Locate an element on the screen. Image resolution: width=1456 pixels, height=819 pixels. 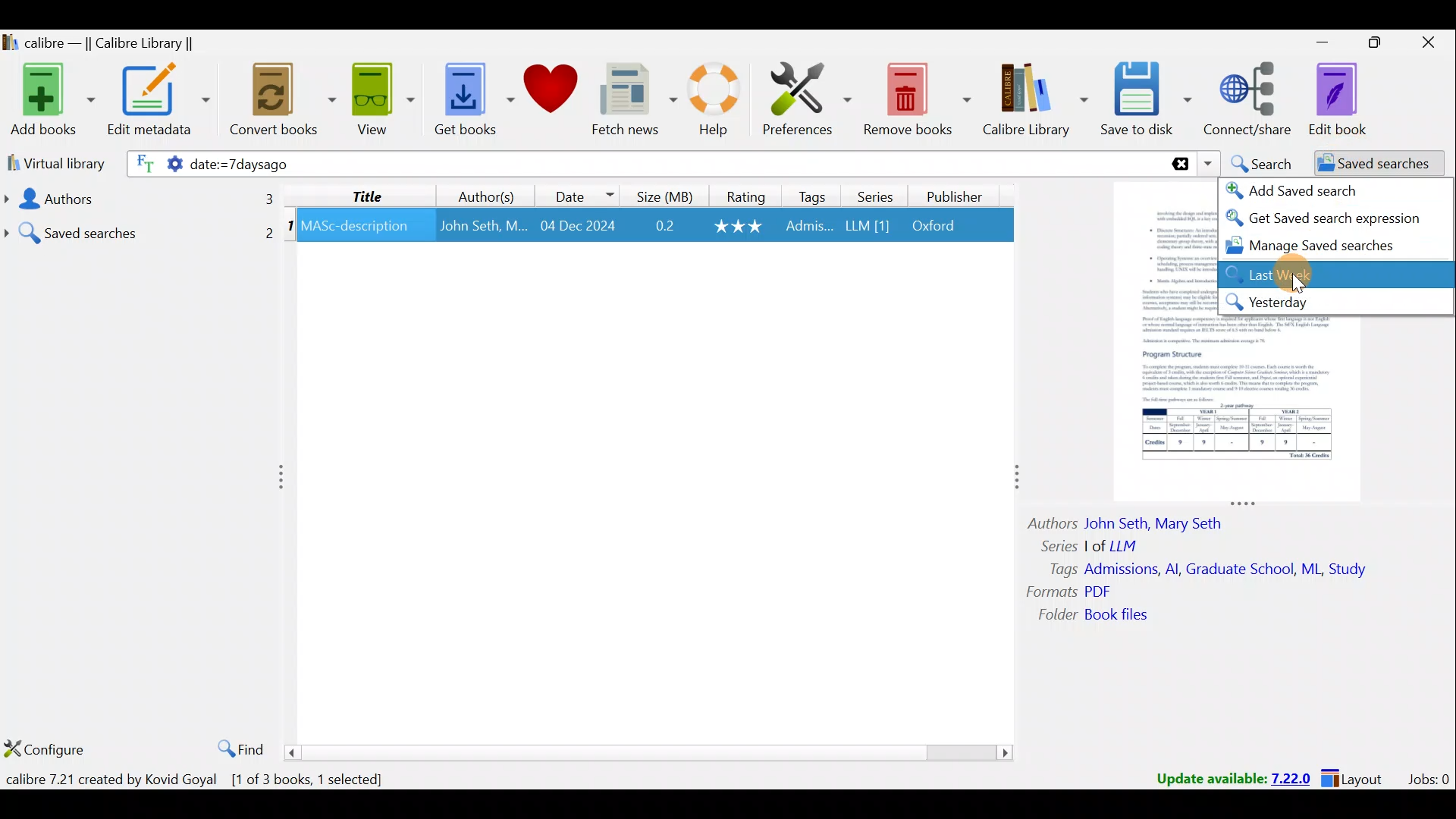
Maximize is located at coordinates (1368, 45).